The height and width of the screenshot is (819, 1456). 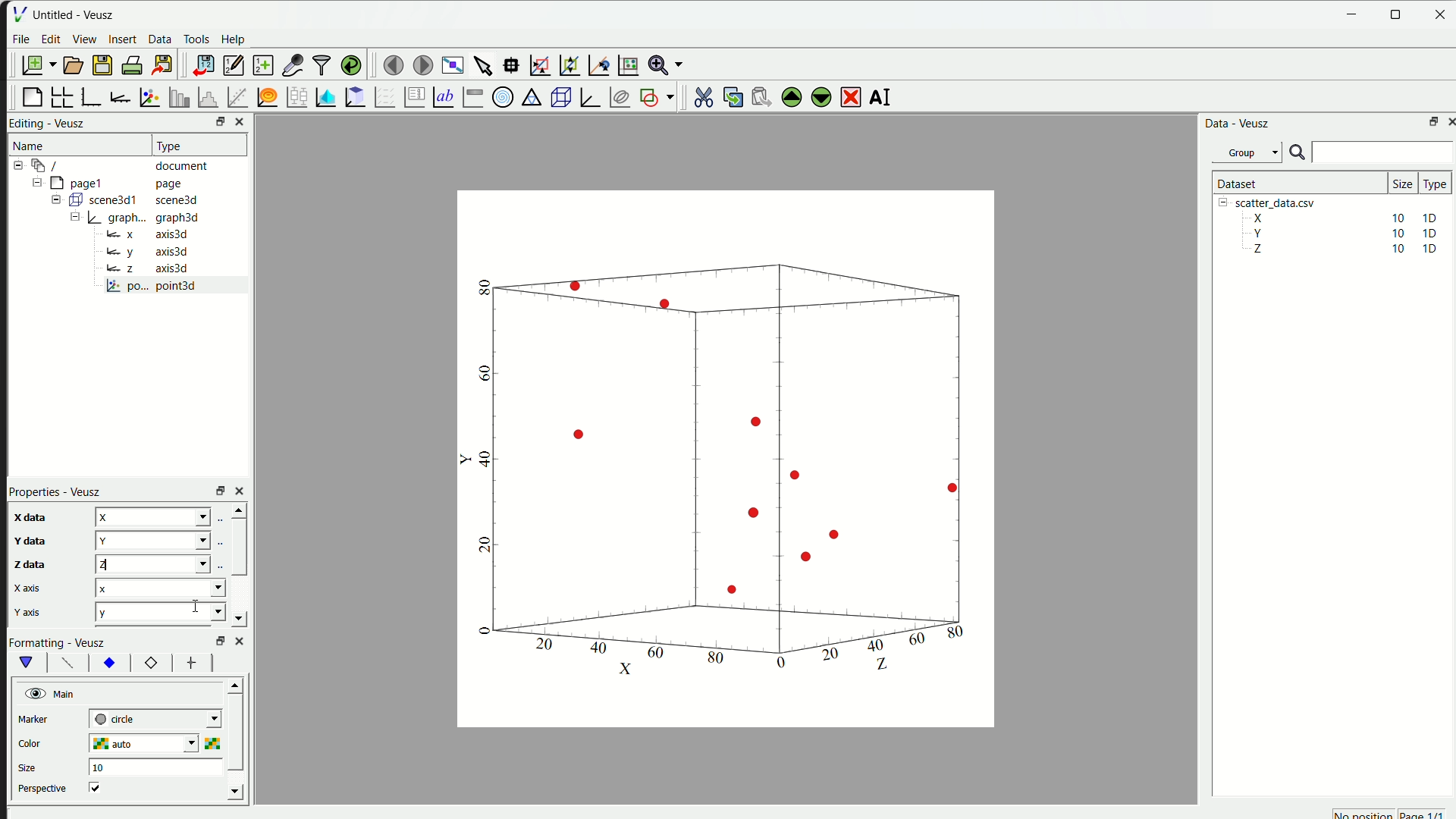 I want to click on Reset graph axes, so click(x=627, y=63).